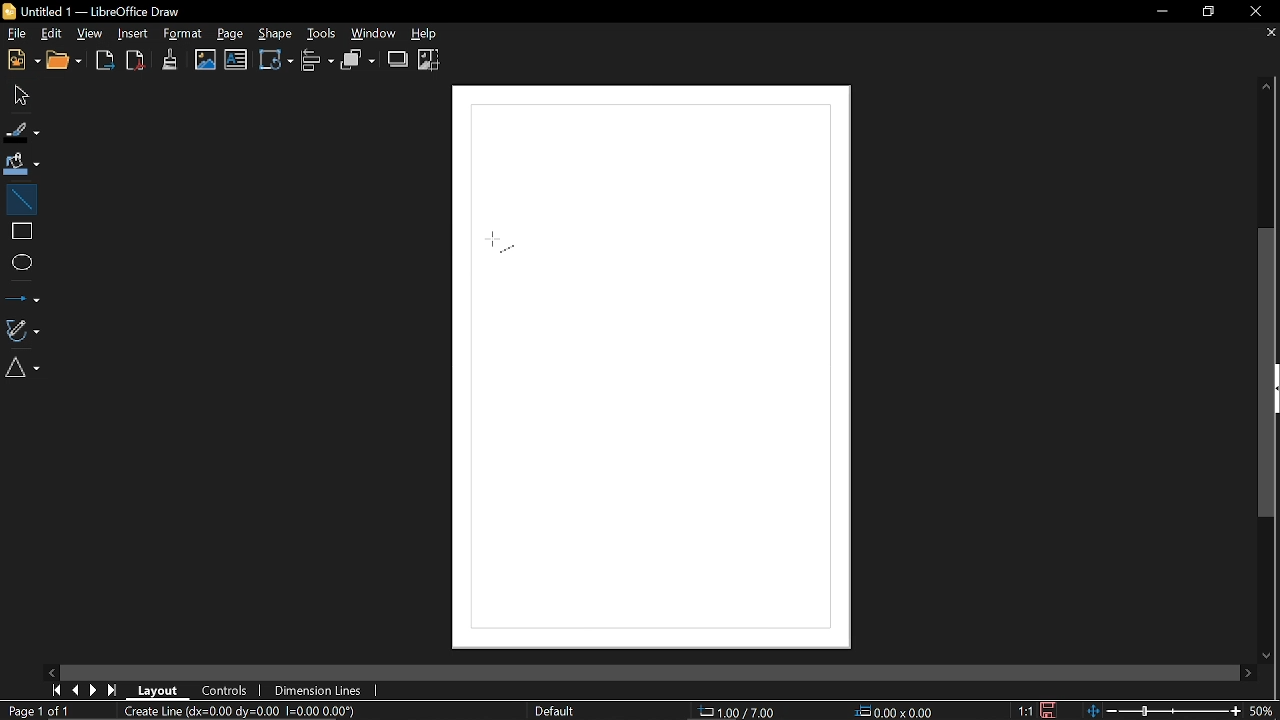 The width and height of the screenshot is (1280, 720). I want to click on Fll line, so click(20, 131).